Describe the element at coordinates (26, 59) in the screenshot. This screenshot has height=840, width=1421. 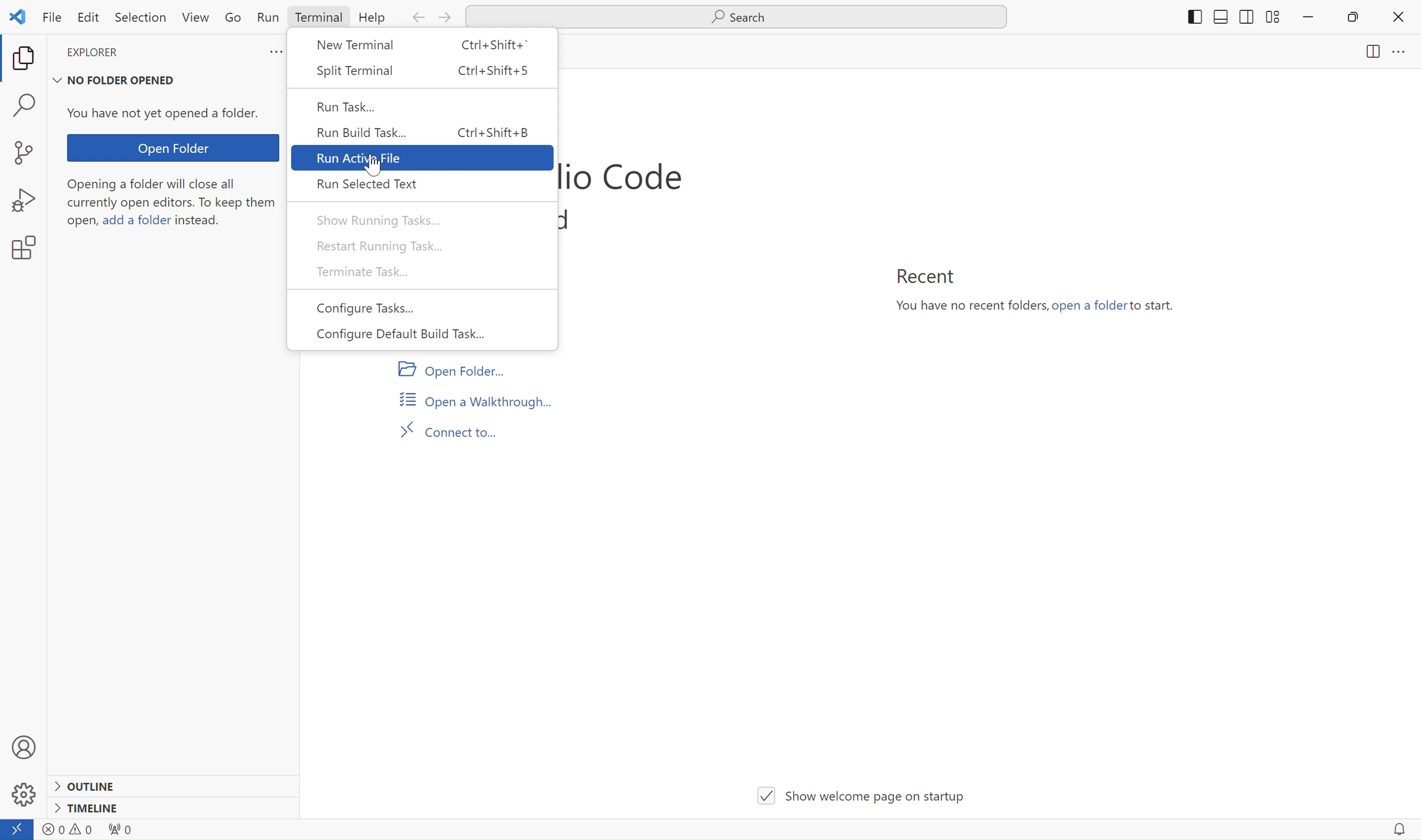
I see `copy` at that location.